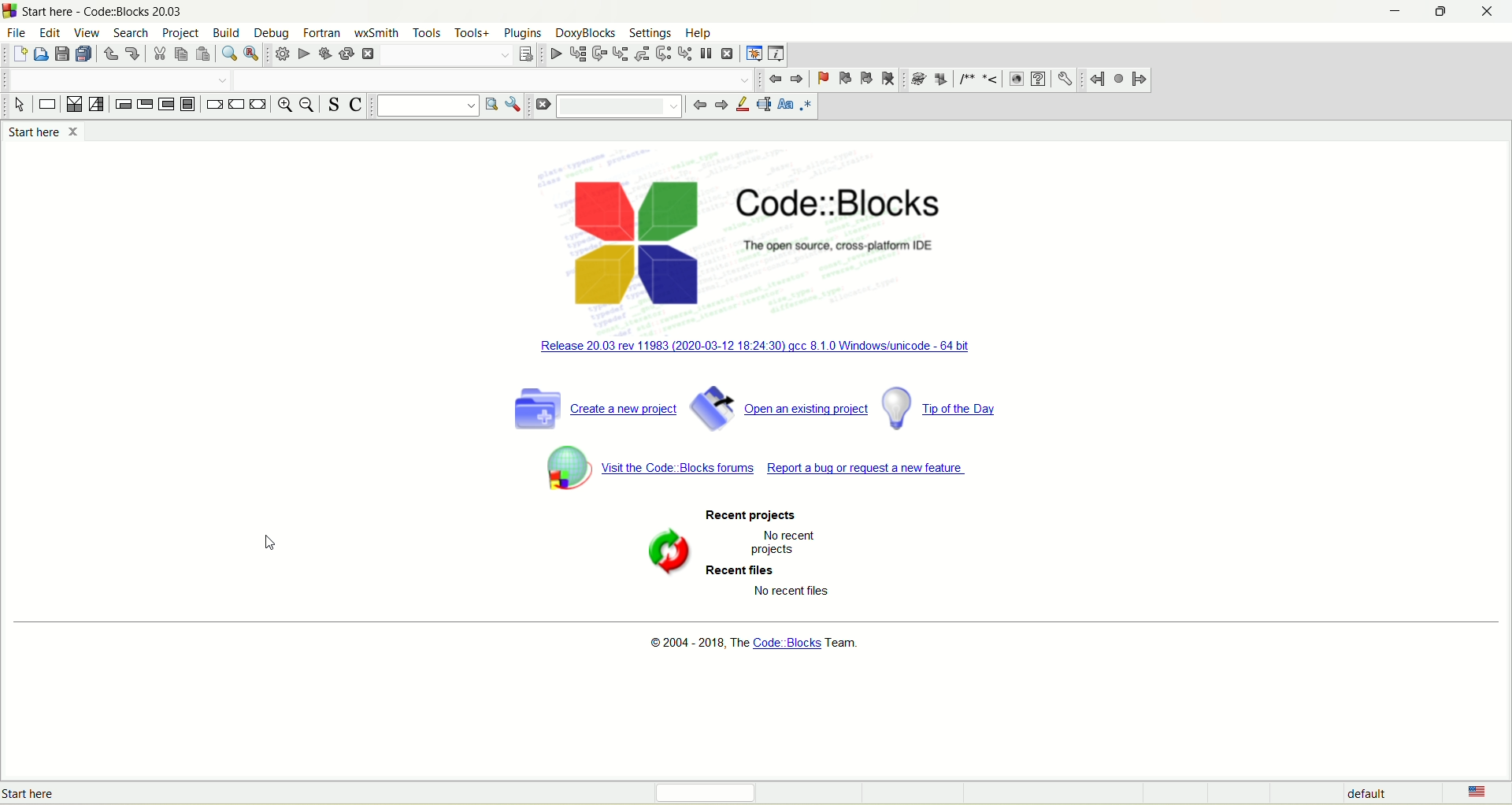  What do you see at coordinates (1117, 79) in the screenshot?
I see `last jump` at bounding box center [1117, 79].